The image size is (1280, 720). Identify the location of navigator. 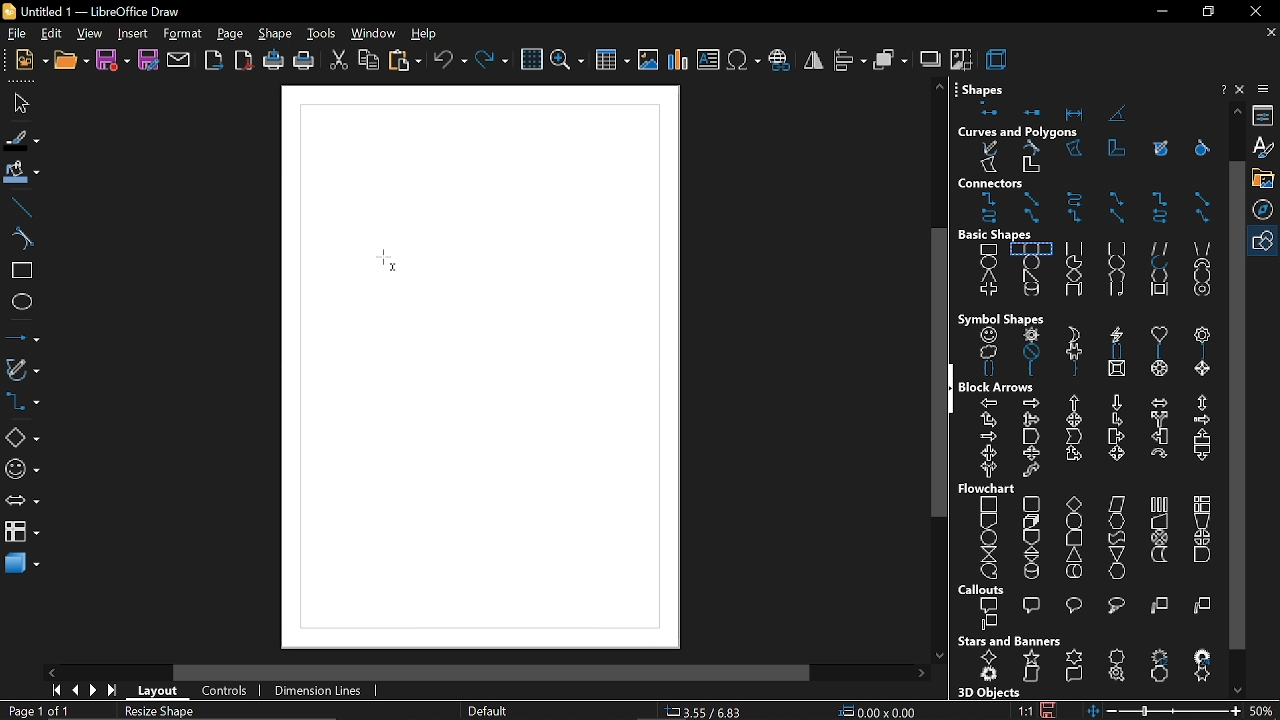
(1266, 211).